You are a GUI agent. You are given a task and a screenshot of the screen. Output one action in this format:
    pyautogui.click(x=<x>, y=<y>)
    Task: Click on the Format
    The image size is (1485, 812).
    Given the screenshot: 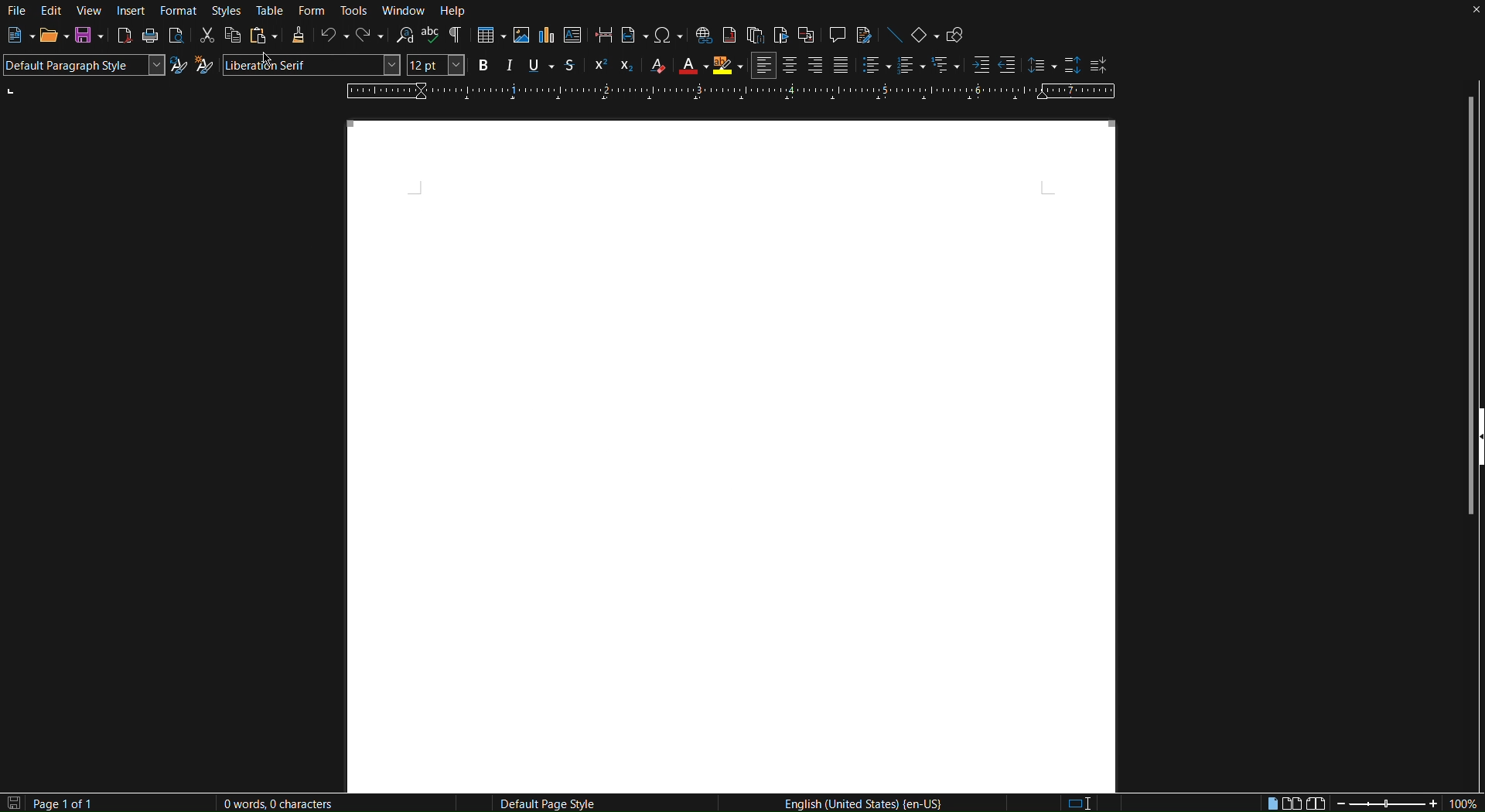 What is the action you would take?
    pyautogui.click(x=176, y=10)
    